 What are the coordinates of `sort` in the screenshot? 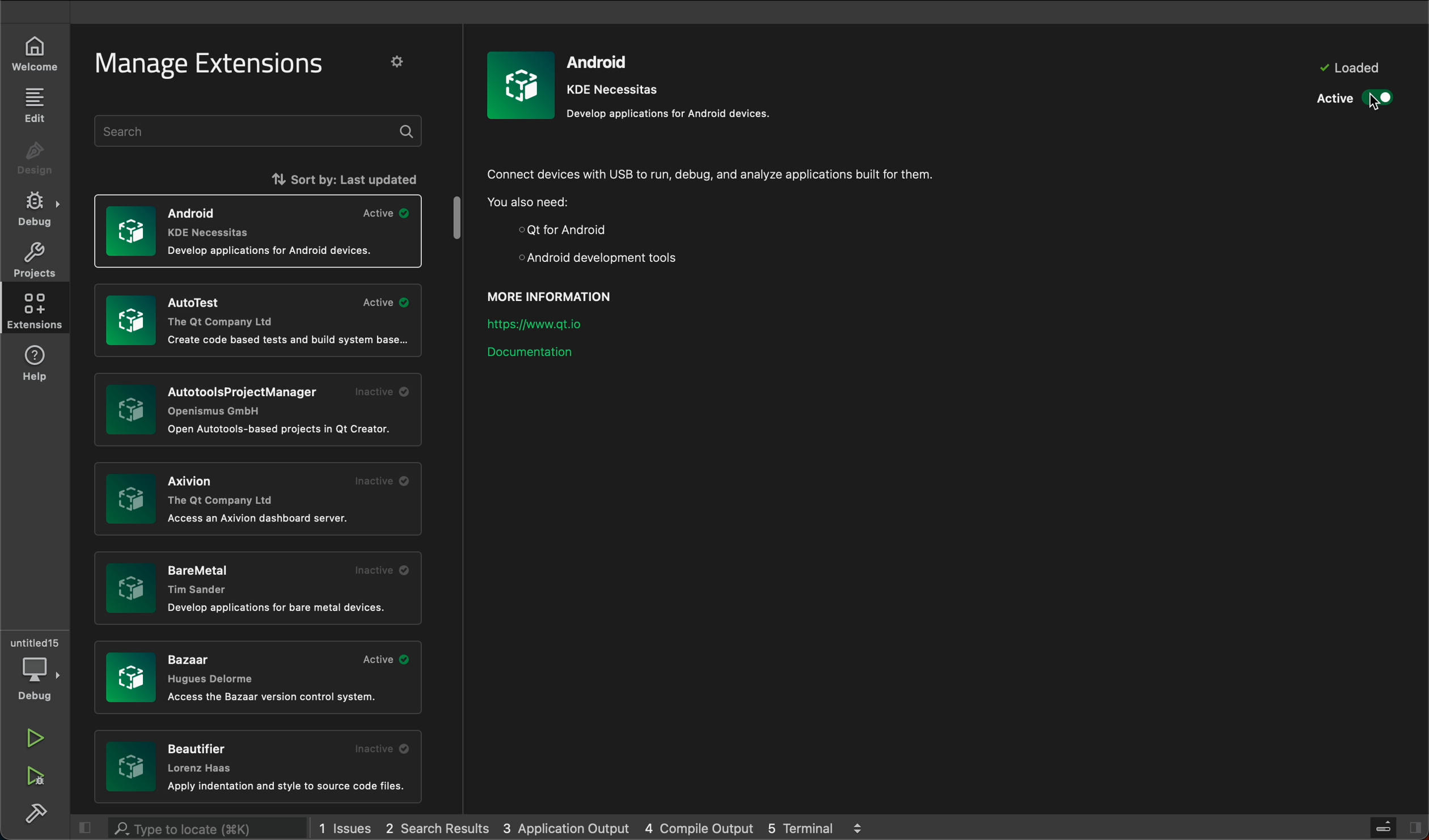 It's located at (307, 177).